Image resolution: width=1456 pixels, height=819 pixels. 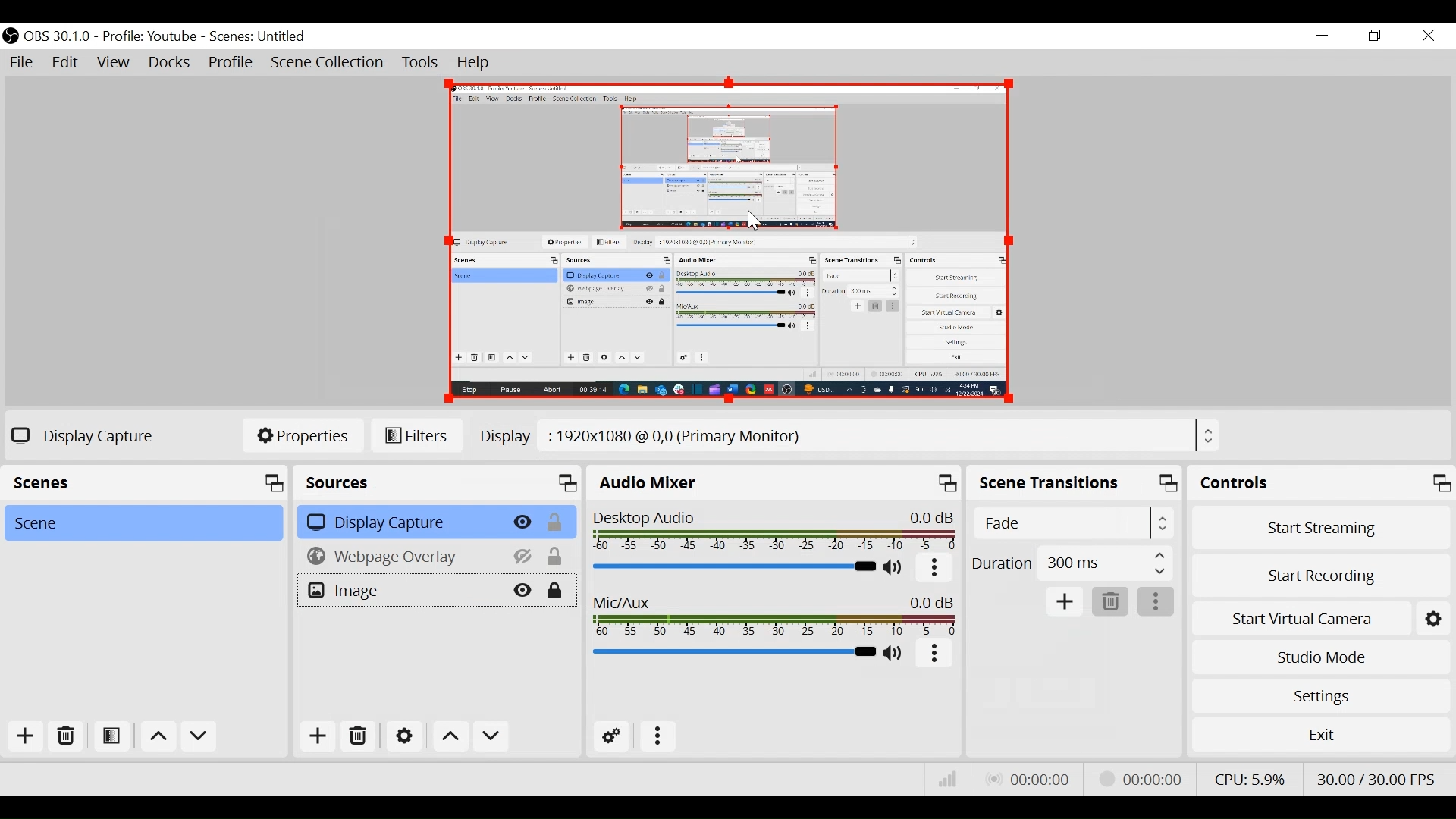 What do you see at coordinates (79, 435) in the screenshot?
I see `No source selected` at bounding box center [79, 435].